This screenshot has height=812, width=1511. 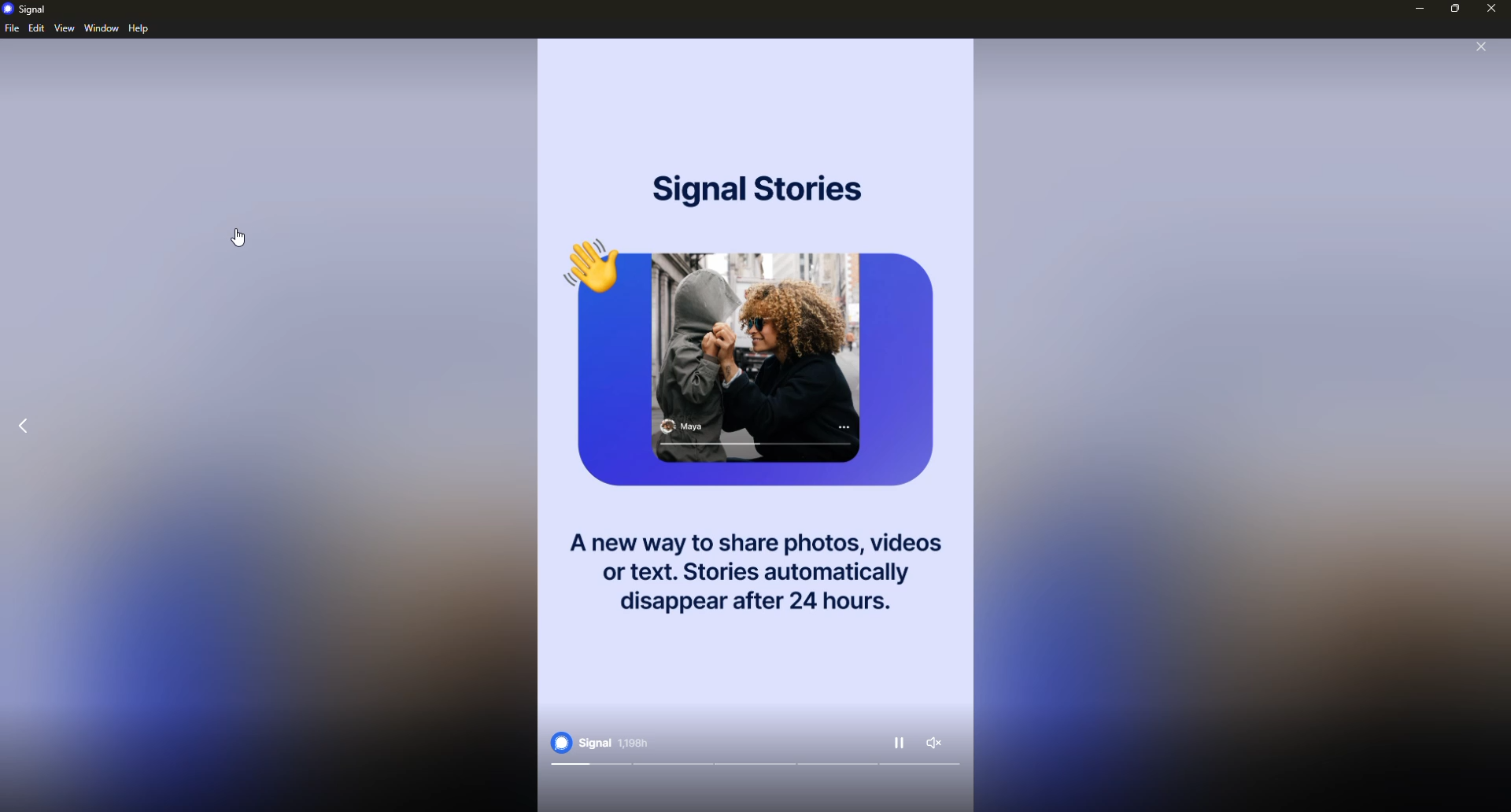 I want to click on view, so click(x=63, y=28).